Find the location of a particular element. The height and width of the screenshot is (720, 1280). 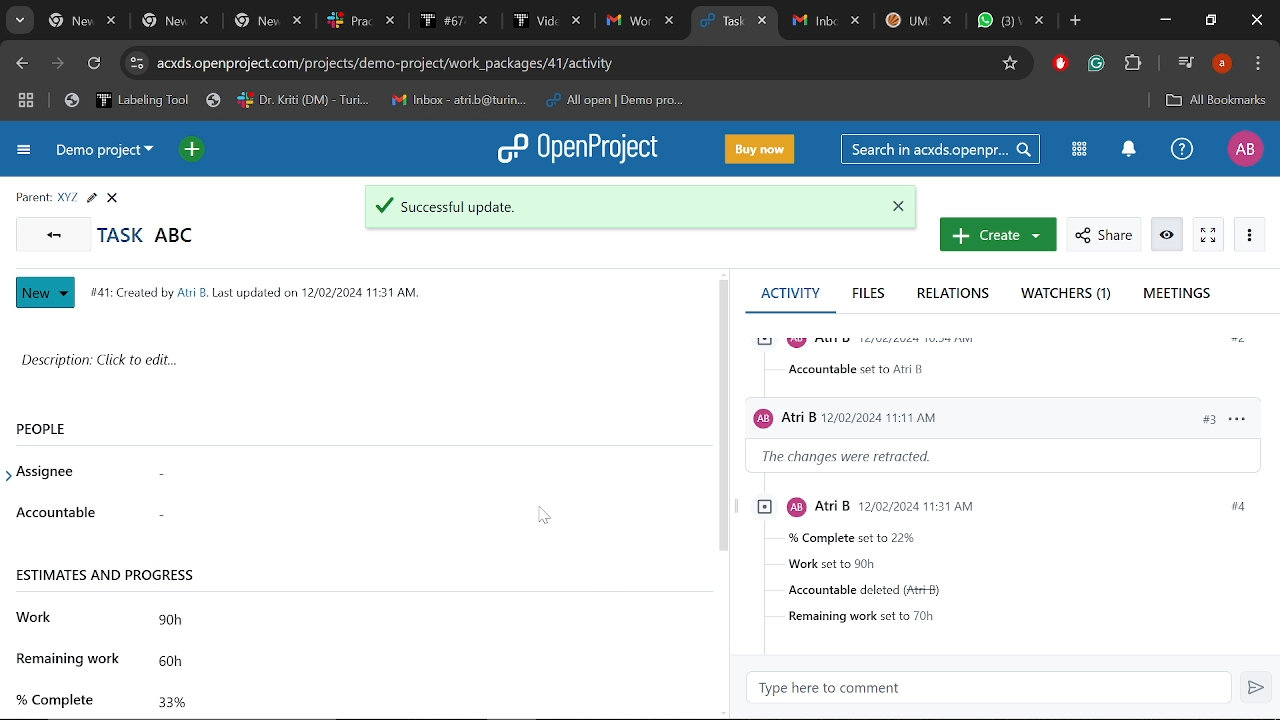

Completed work is located at coordinates (172, 702).